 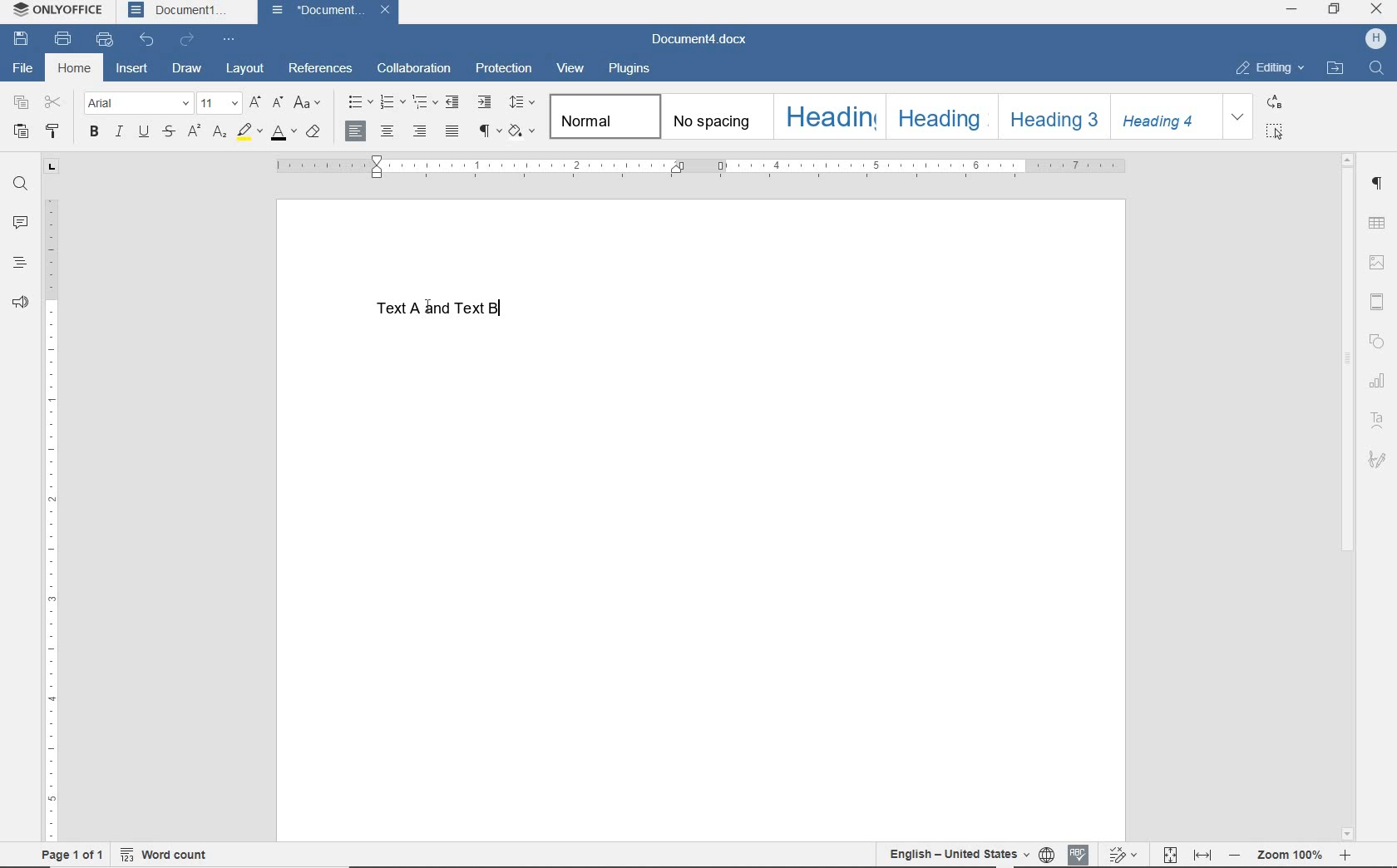 I want to click on PRINT, so click(x=62, y=40).